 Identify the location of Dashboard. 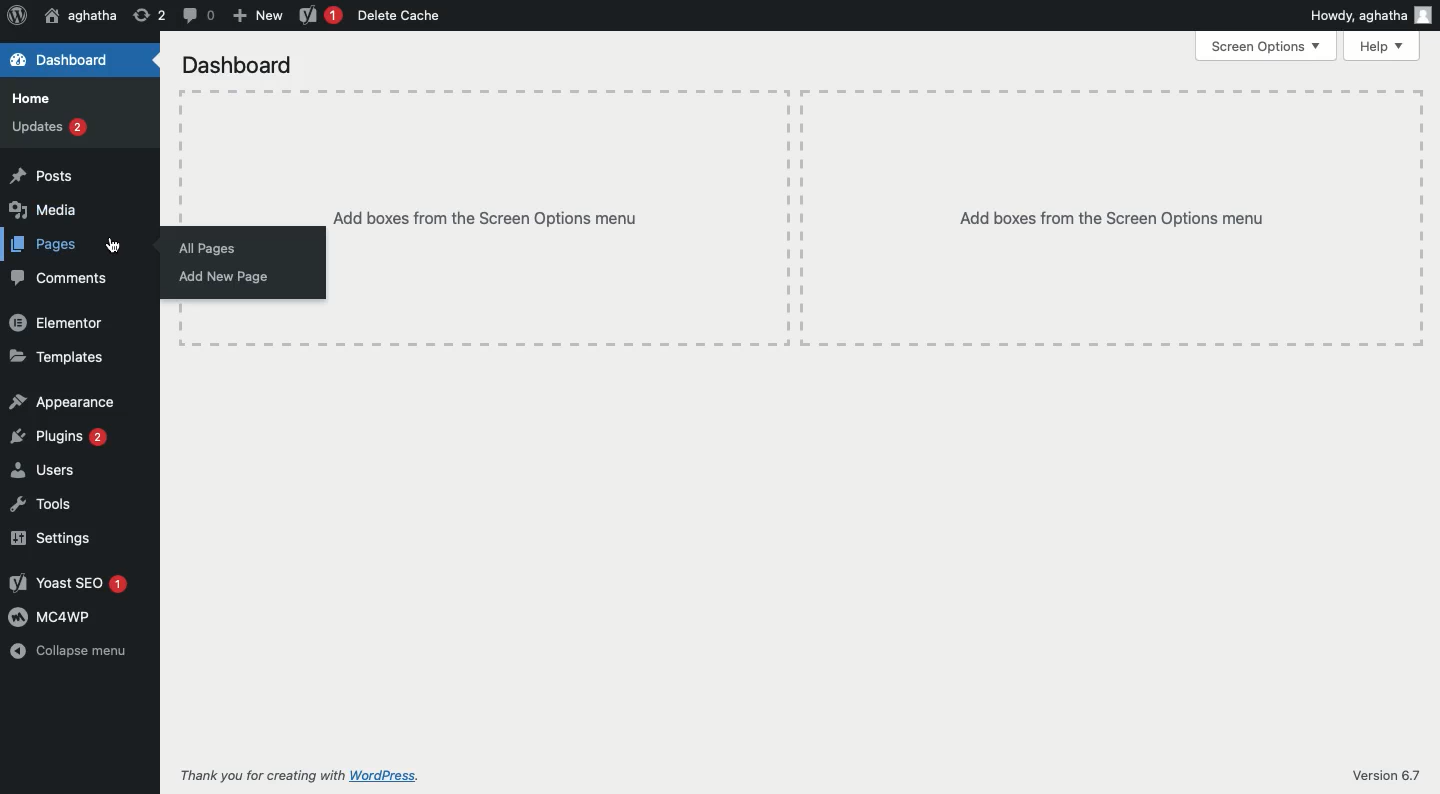
(62, 61).